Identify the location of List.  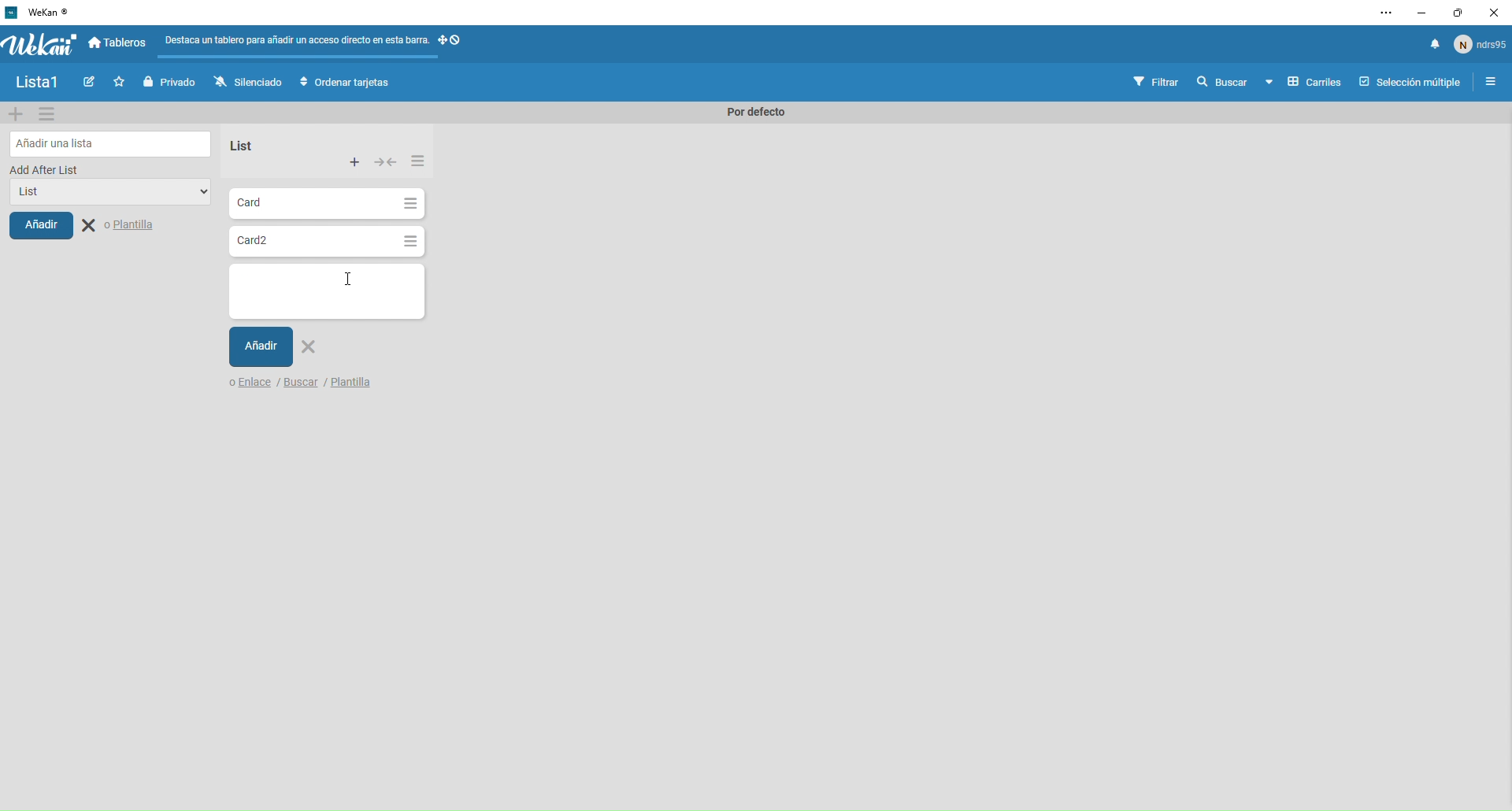
(239, 146).